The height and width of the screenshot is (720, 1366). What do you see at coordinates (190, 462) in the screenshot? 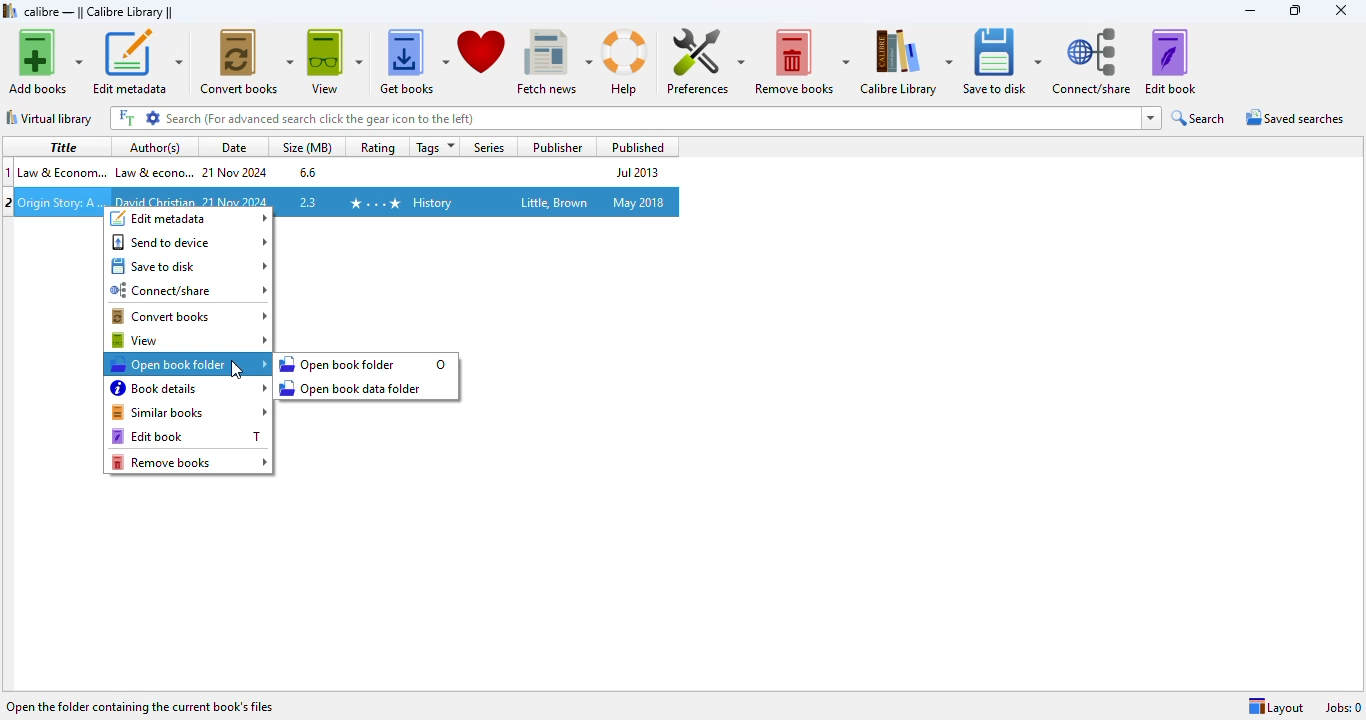
I see `remove books` at bounding box center [190, 462].